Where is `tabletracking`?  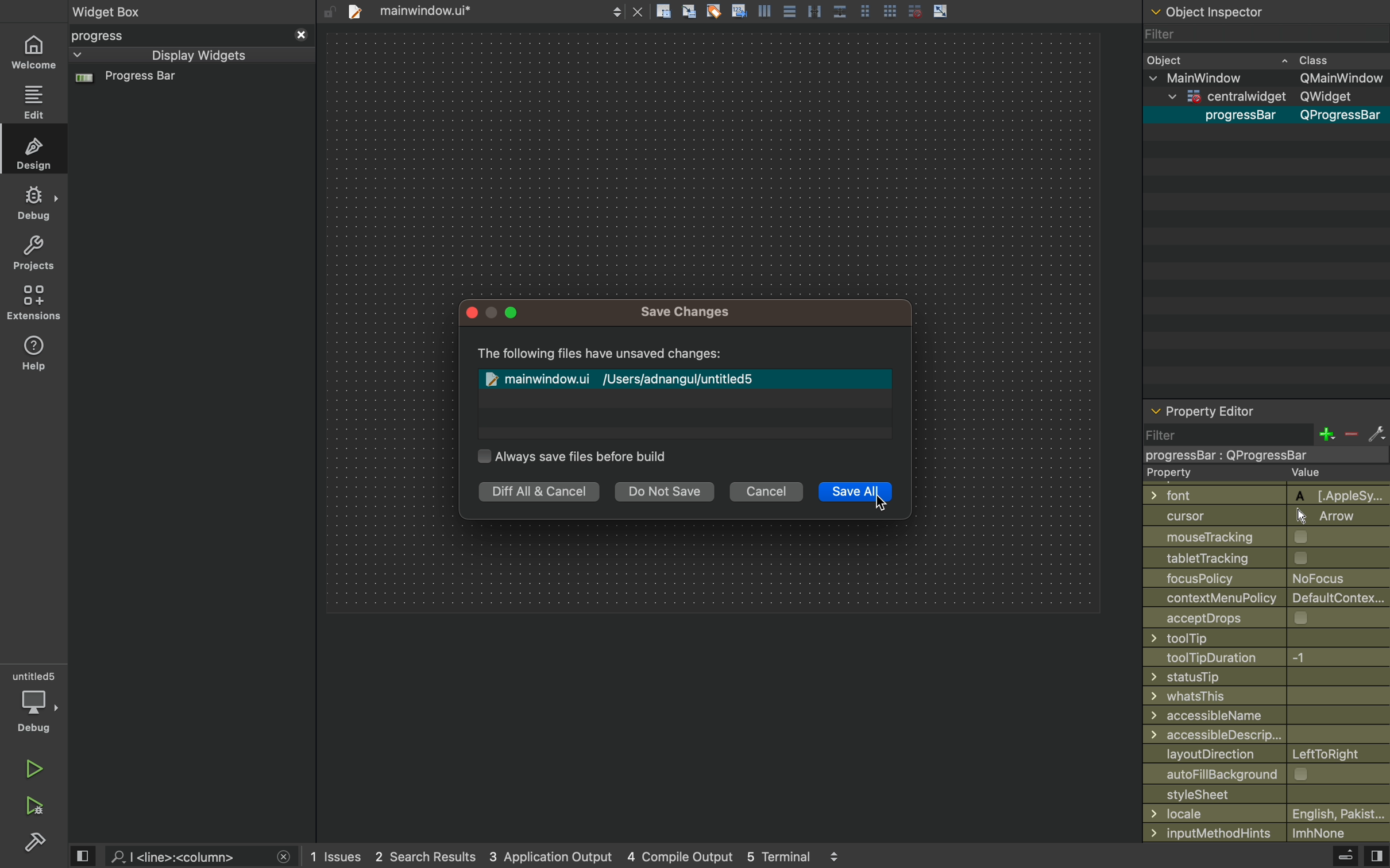
tabletracking is located at coordinates (1267, 557).